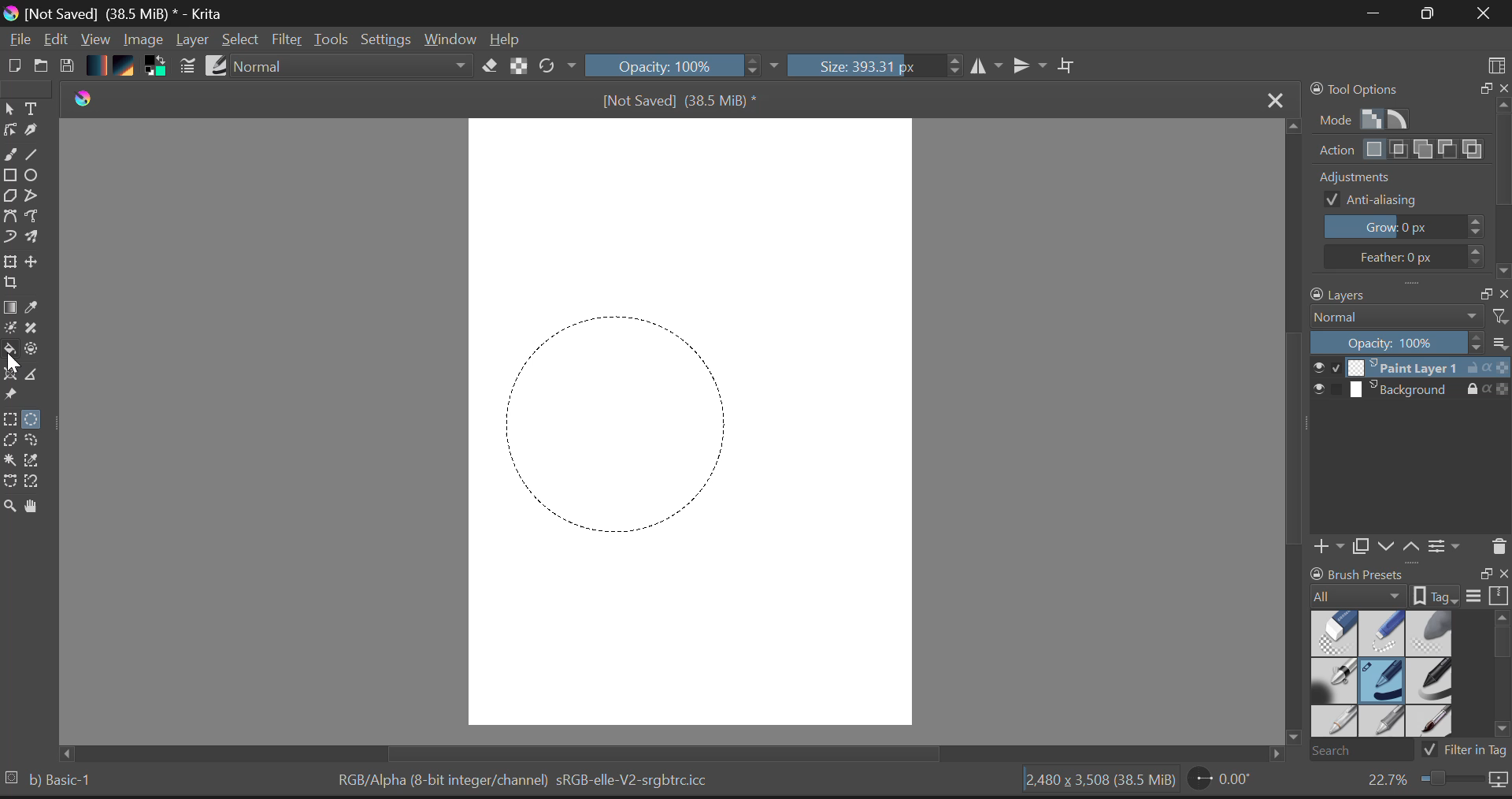  I want to click on Horizontal Mirror Flip, so click(1033, 67).